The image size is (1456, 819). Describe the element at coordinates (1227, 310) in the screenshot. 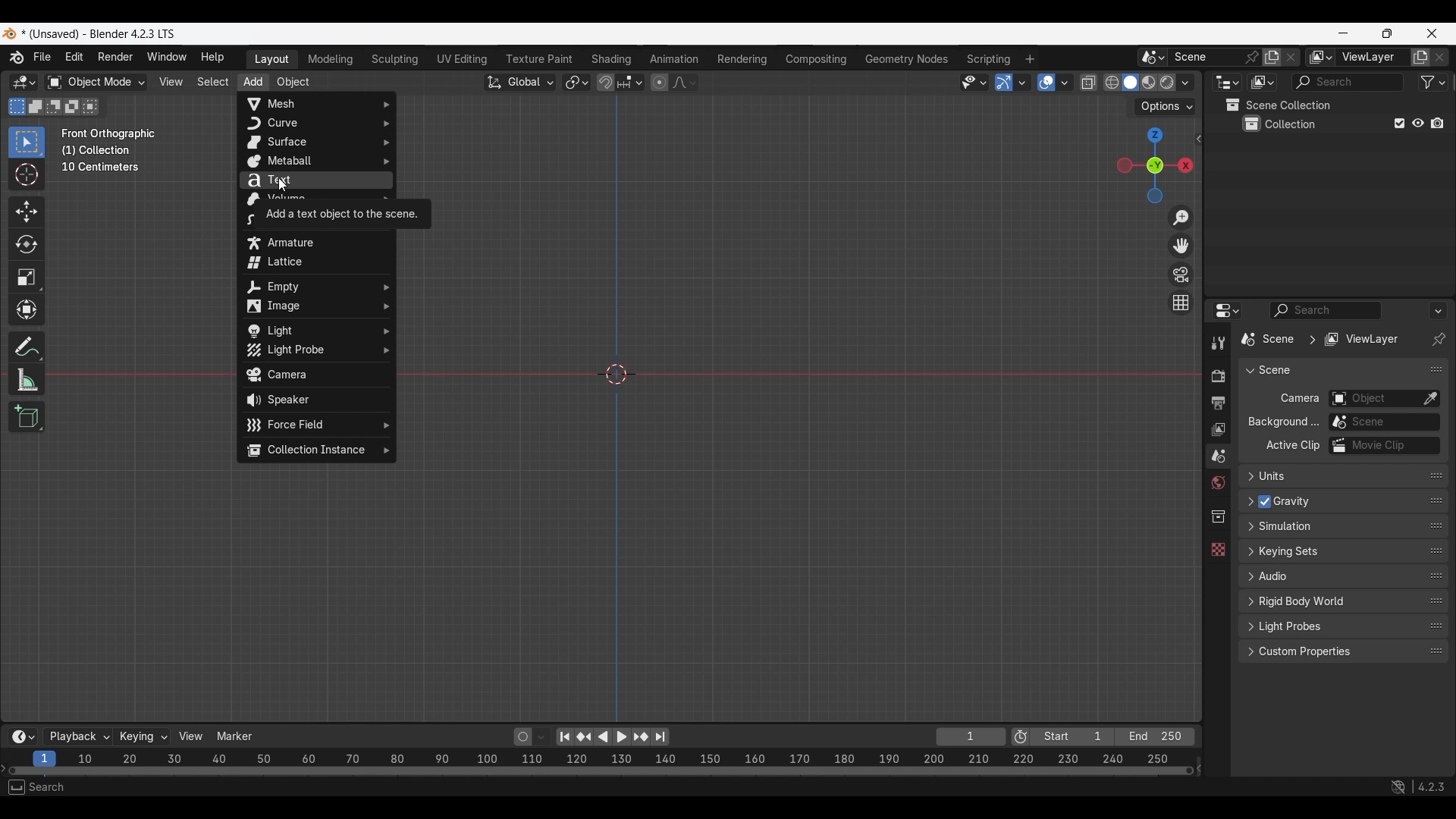

I see `Editor type` at that location.